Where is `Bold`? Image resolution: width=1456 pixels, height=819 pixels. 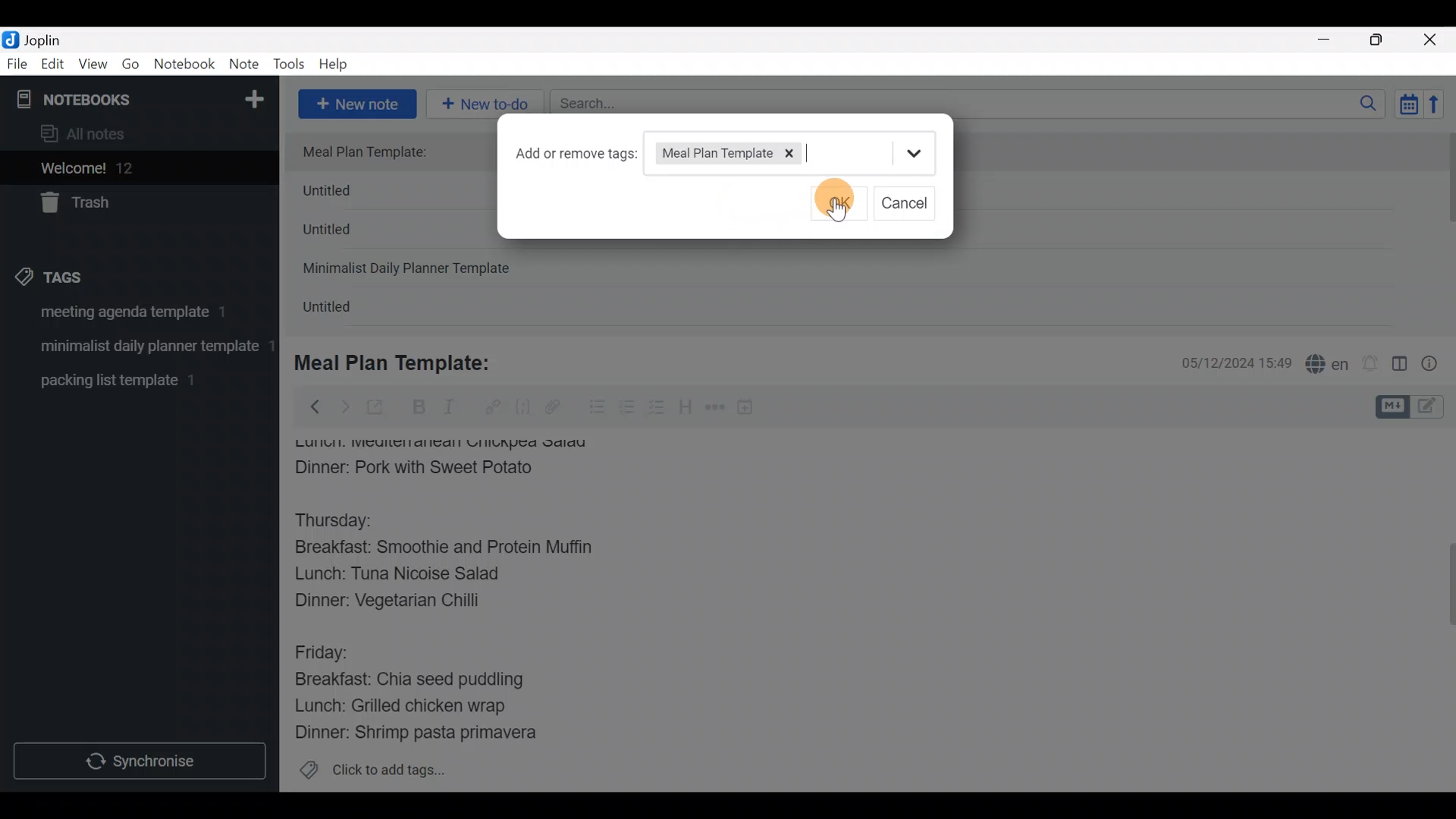 Bold is located at coordinates (418, 409).